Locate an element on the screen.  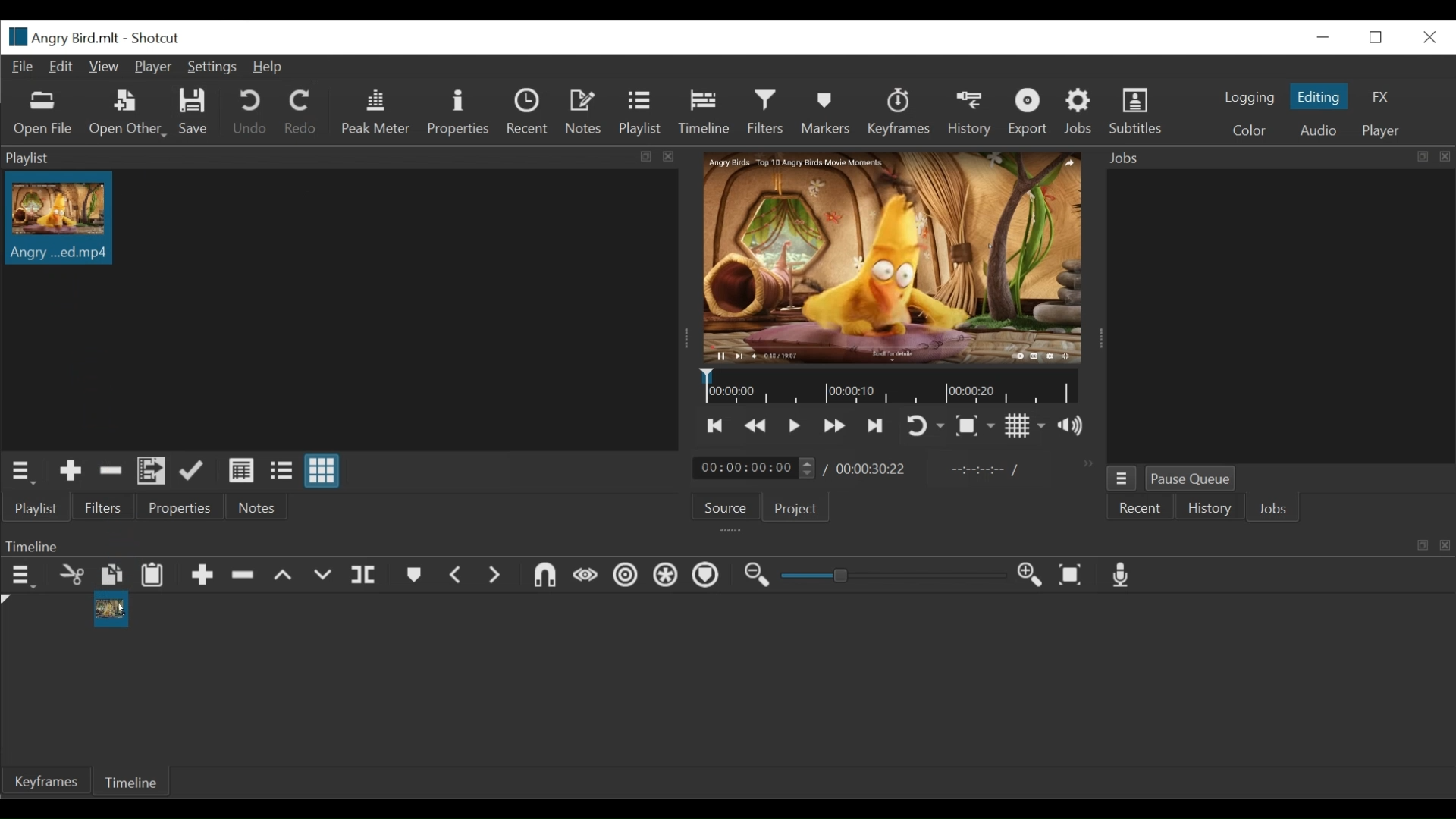
Export is located at coordinates (1030, 111).